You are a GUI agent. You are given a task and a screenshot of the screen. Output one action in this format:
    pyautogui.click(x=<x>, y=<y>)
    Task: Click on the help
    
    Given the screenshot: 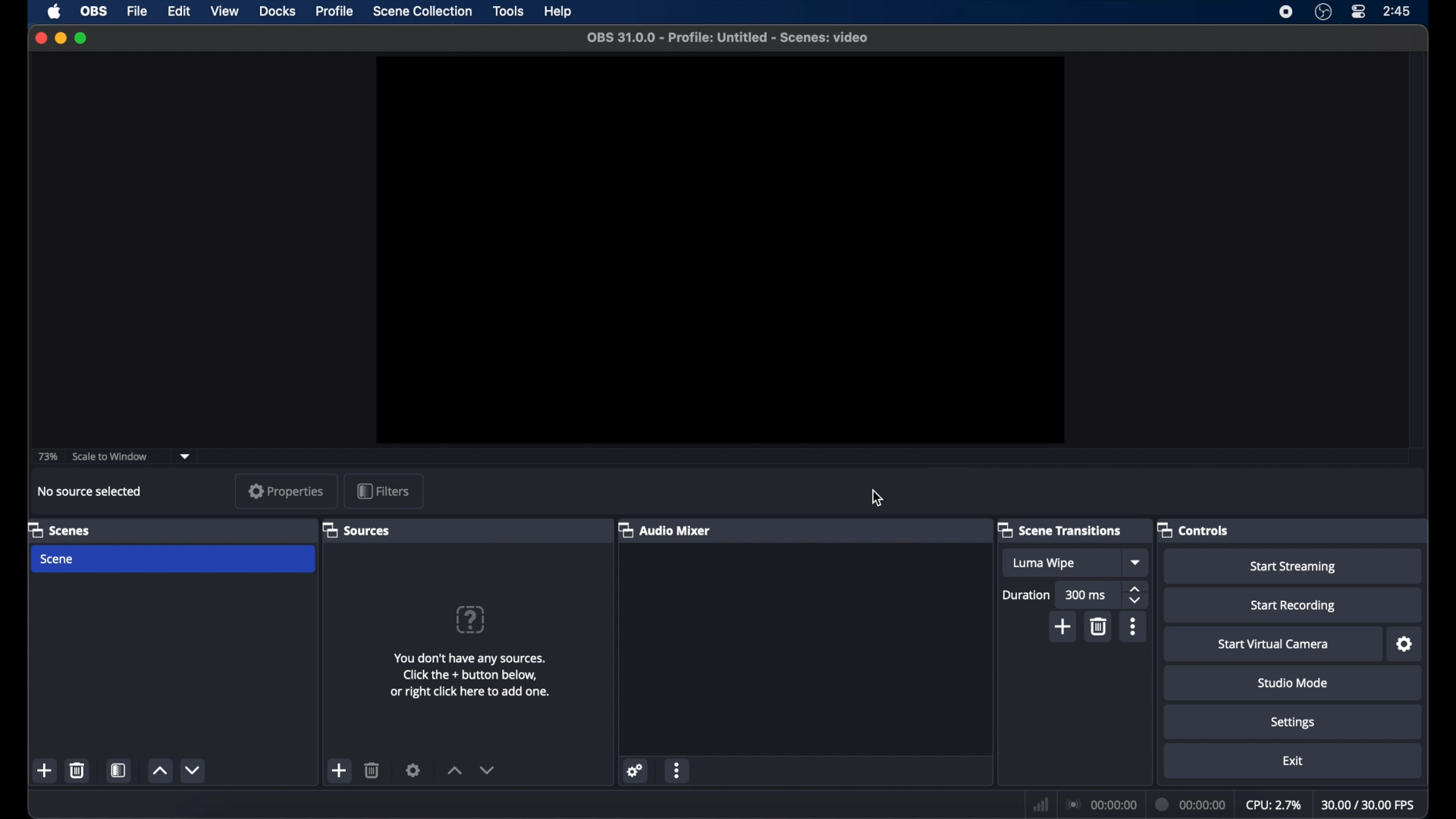 What is the action you would take?
    pyautogui.click(x=472, y=620)
    